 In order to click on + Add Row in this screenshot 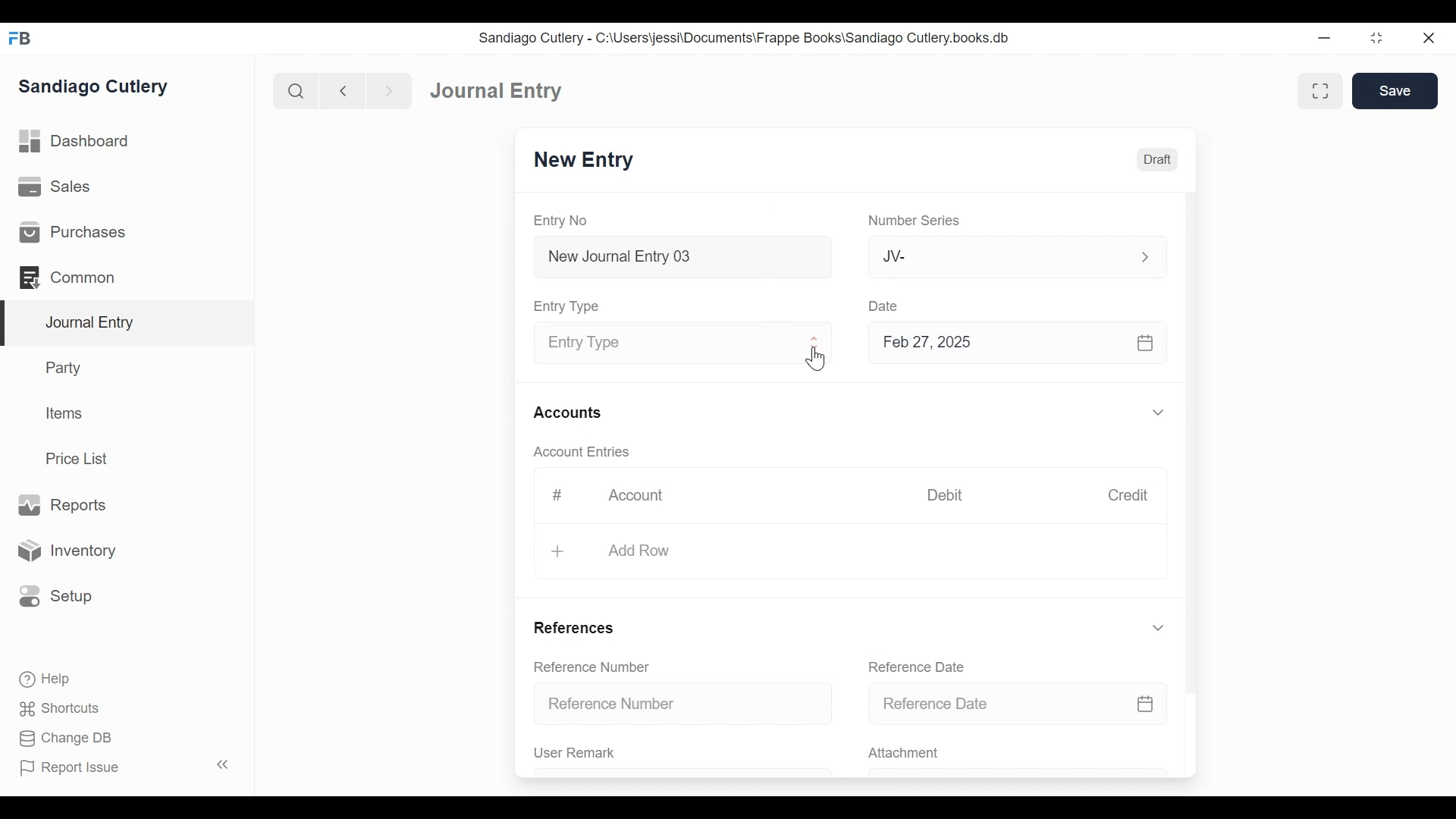, I will do `click(624, 551)`.